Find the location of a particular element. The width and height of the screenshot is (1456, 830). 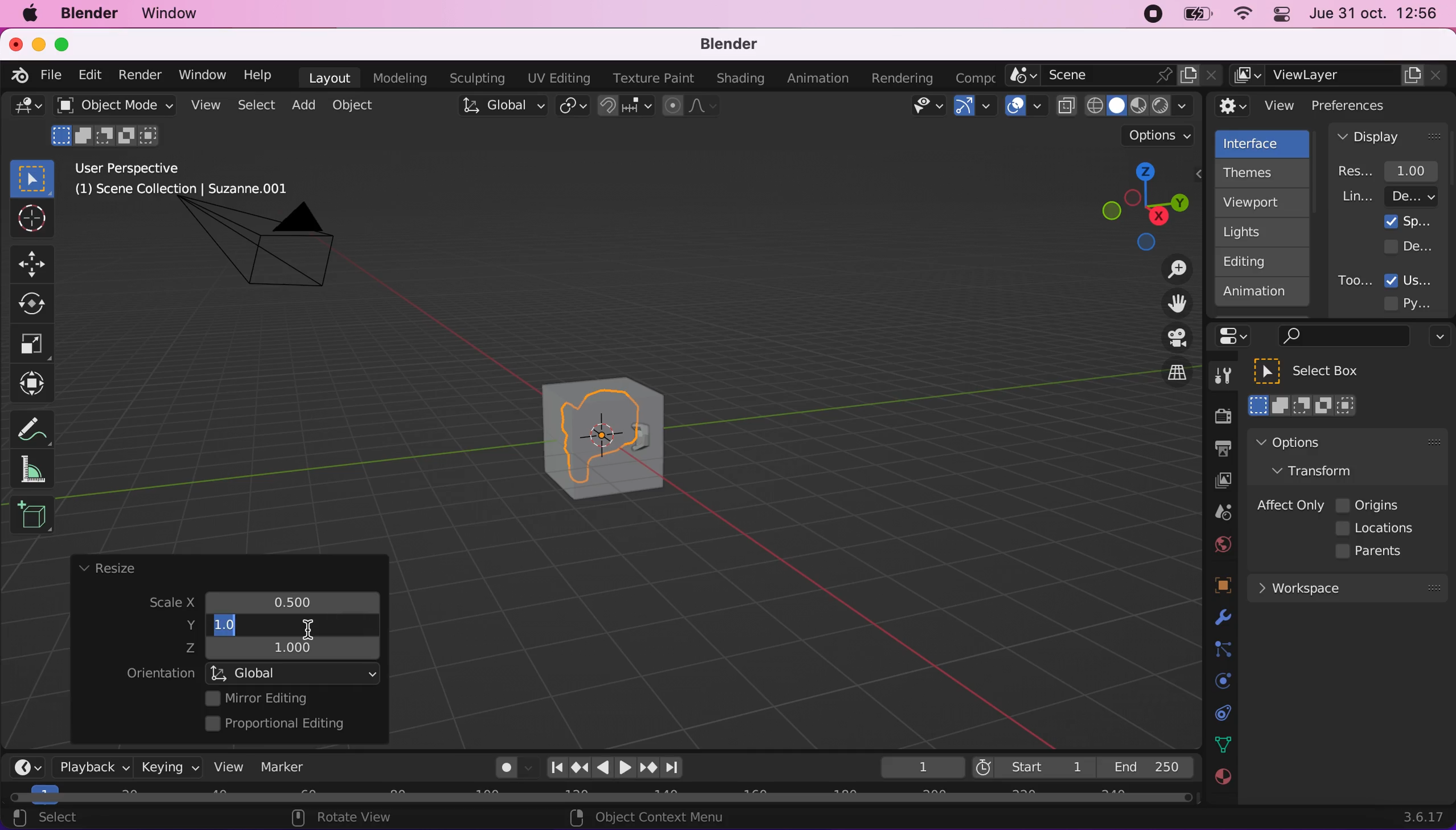

global is located at coordinates (500, 108).